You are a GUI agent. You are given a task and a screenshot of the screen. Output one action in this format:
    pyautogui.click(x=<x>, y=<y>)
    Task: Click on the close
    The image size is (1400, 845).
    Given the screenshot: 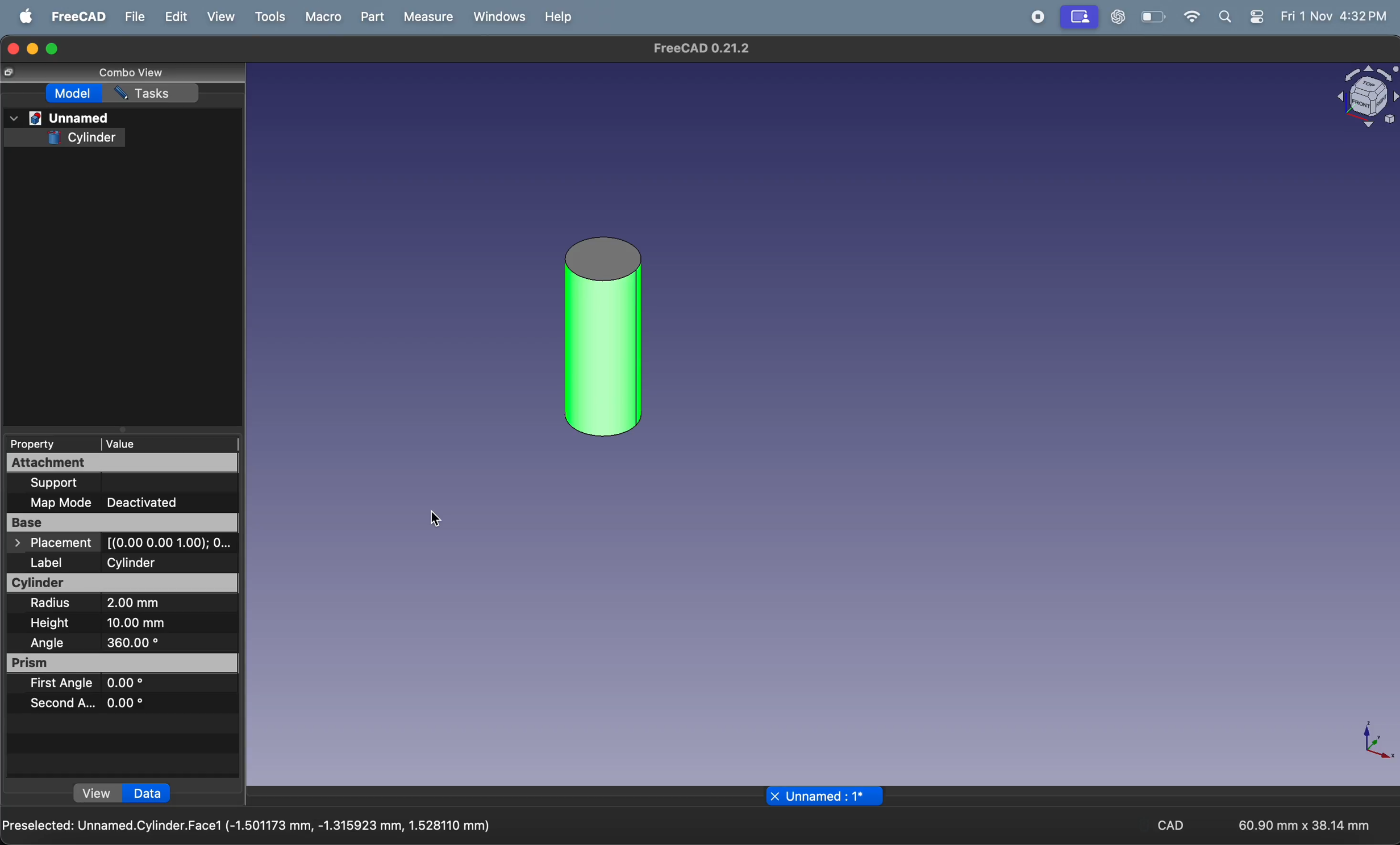 What is the action you would take?
    pyautogui.click(x=774, y=796)
    